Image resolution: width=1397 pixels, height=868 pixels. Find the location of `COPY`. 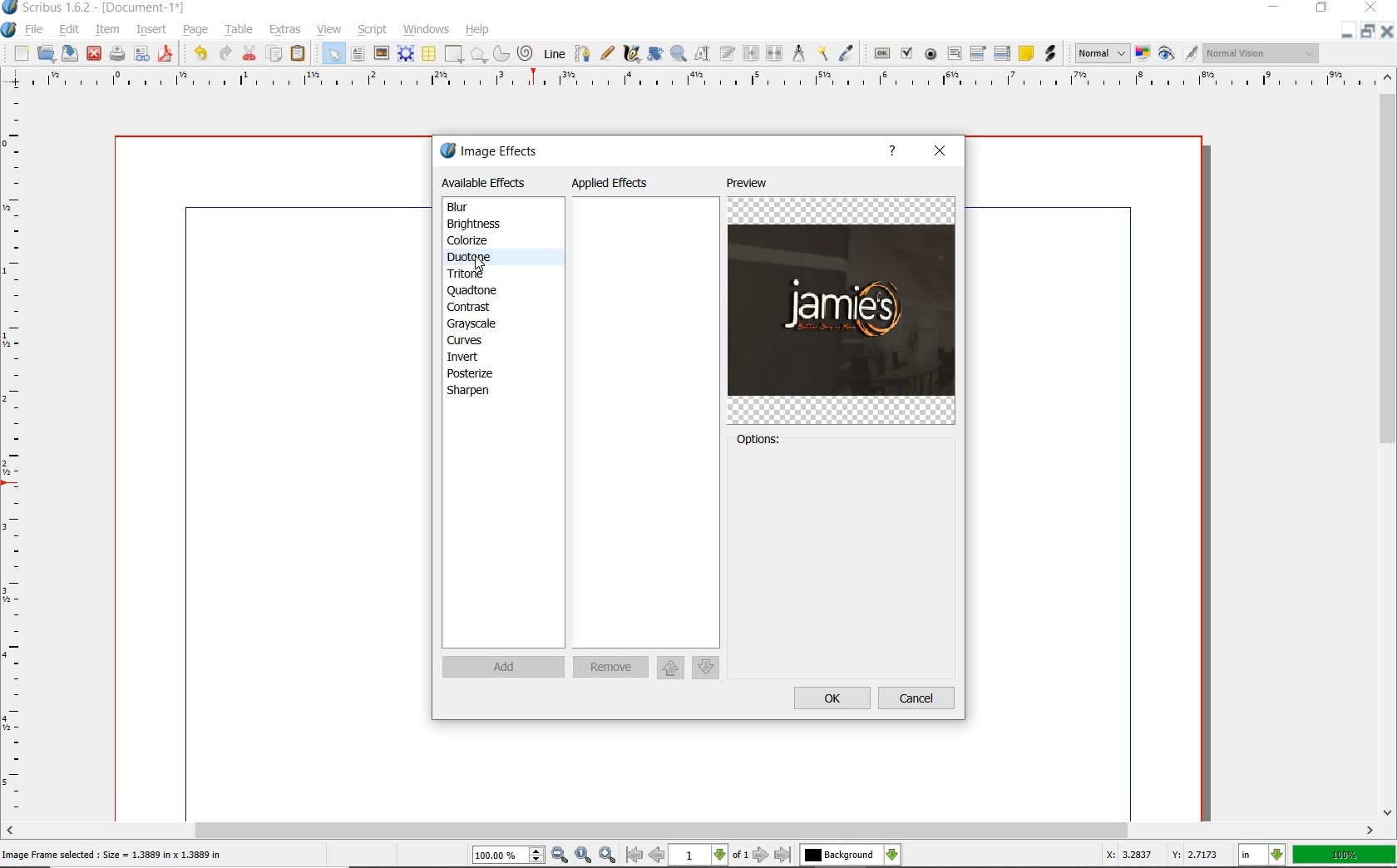

COPY is located at coordinates (274, 57).